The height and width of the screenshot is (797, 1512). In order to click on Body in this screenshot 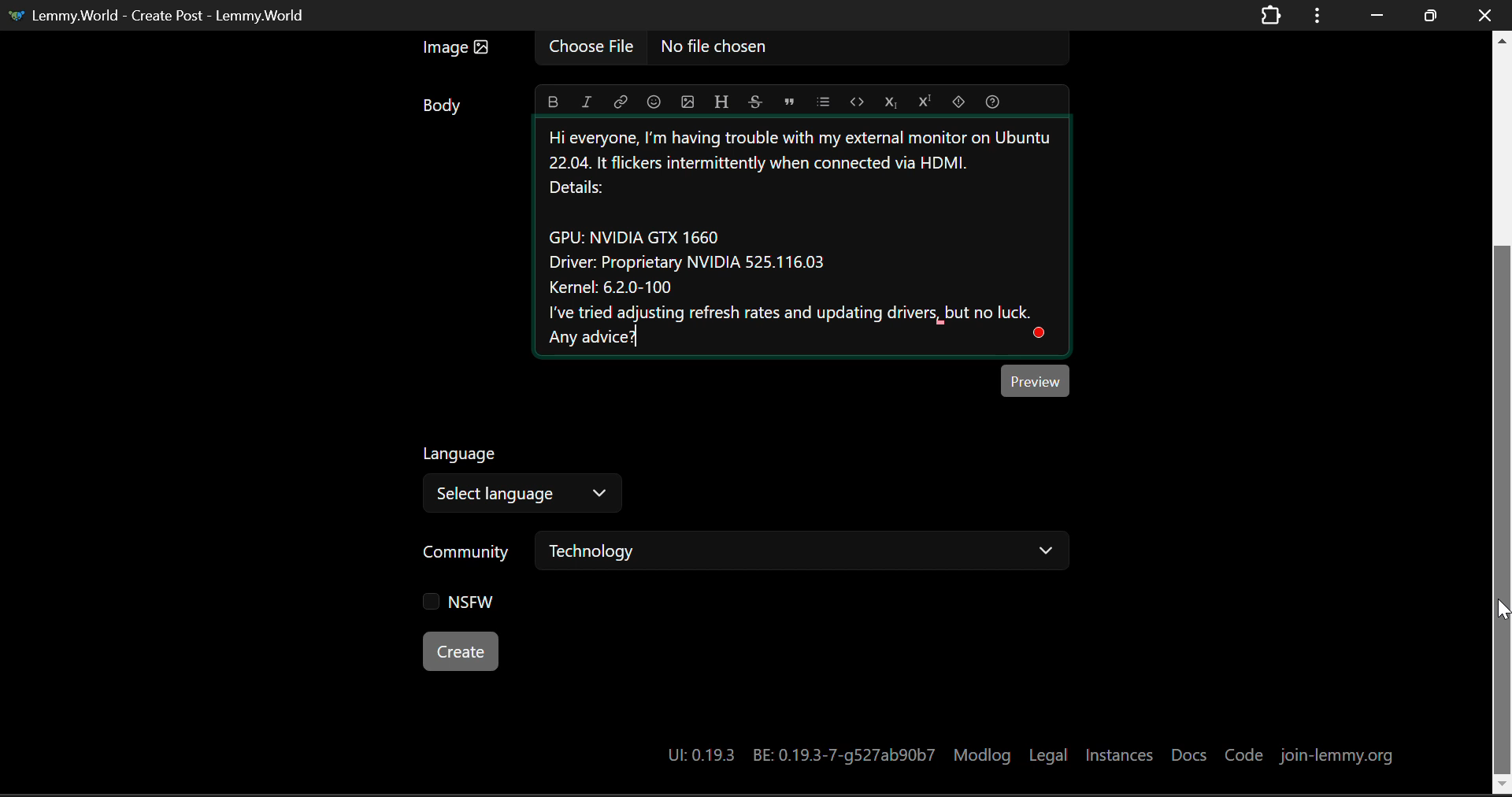, I will do `click(443, 105)`.